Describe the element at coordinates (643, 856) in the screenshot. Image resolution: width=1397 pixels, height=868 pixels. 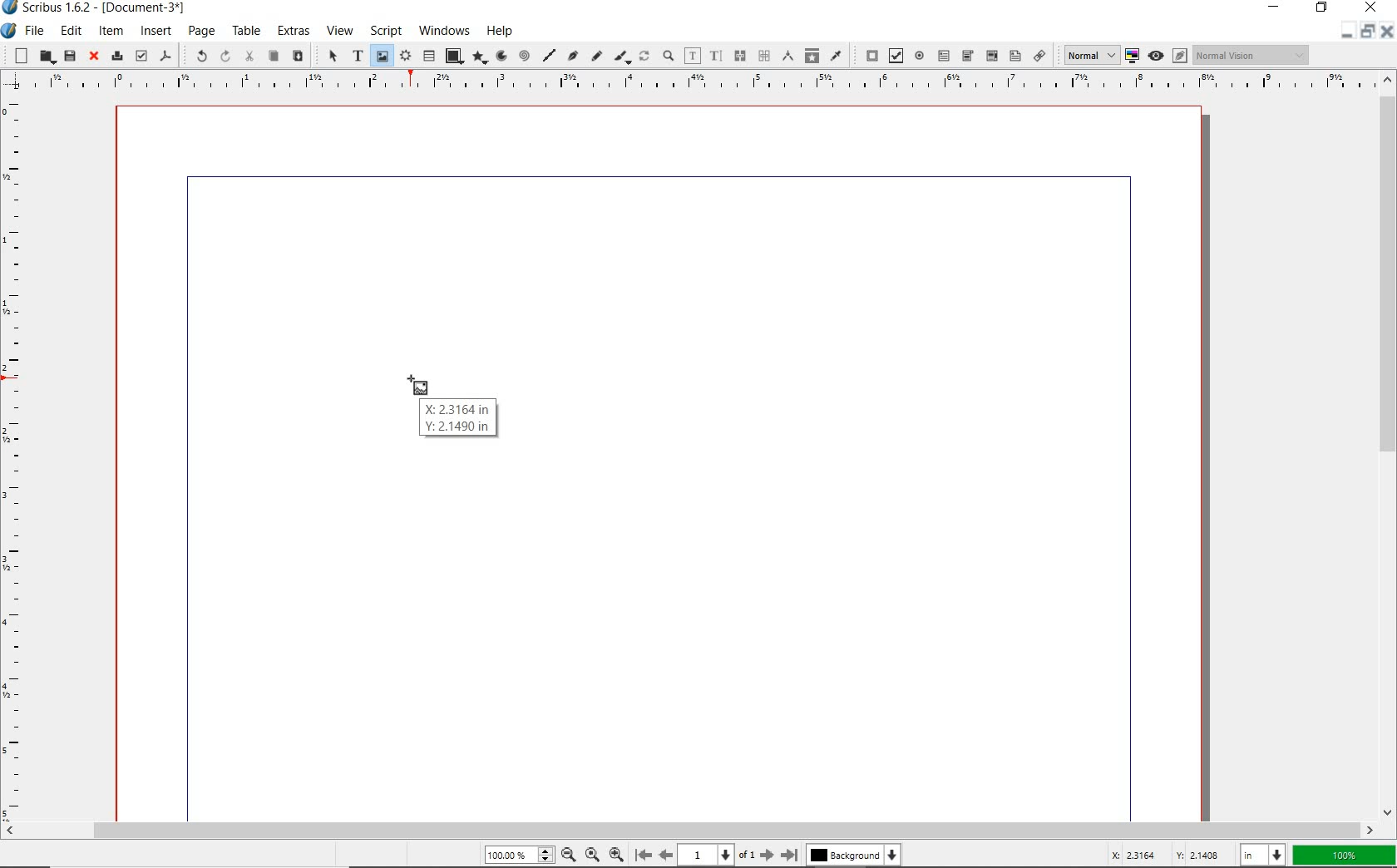
I see `first` at that location.